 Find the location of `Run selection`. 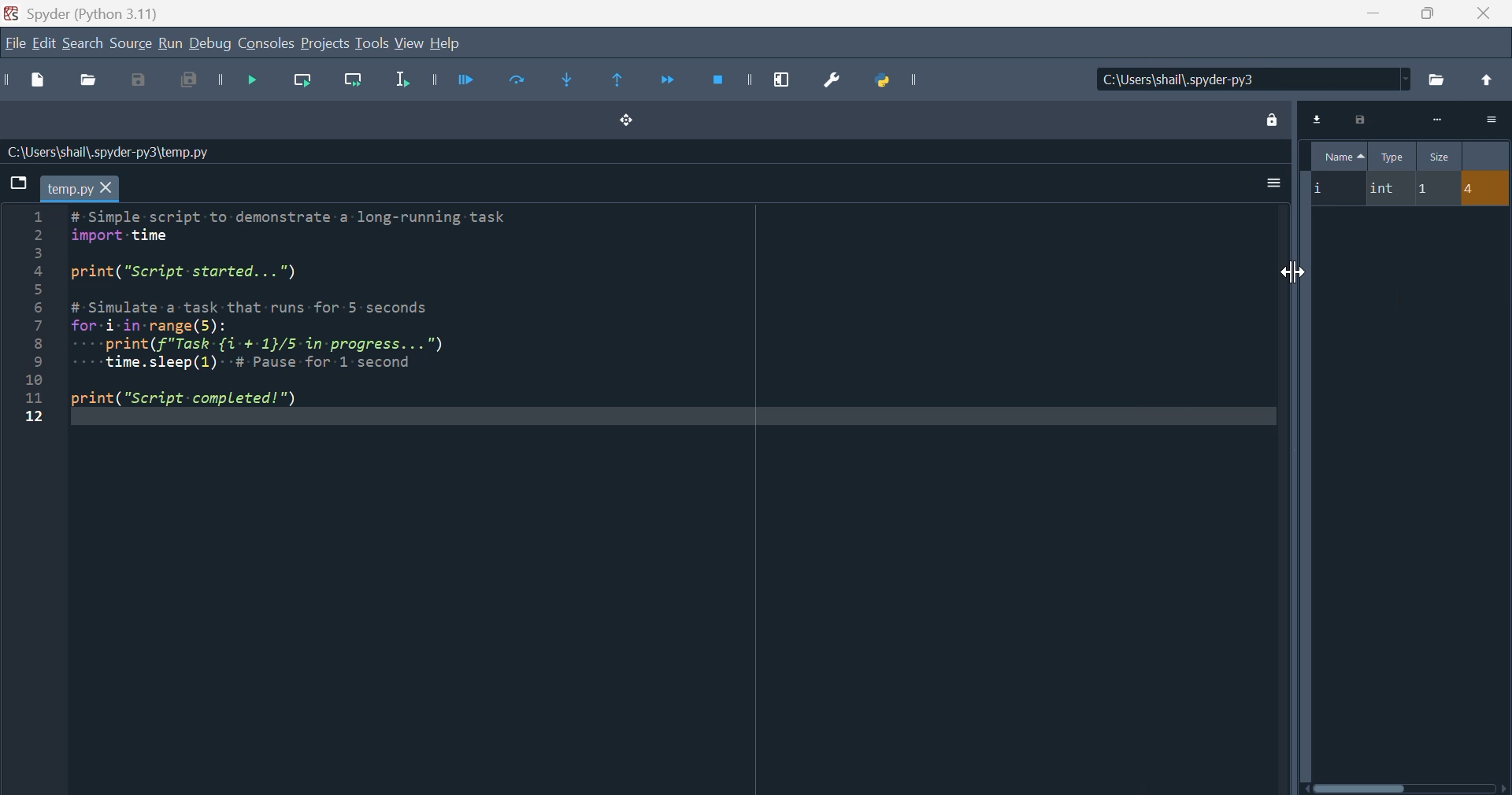

Run selection is located at coordinates (402, 84).